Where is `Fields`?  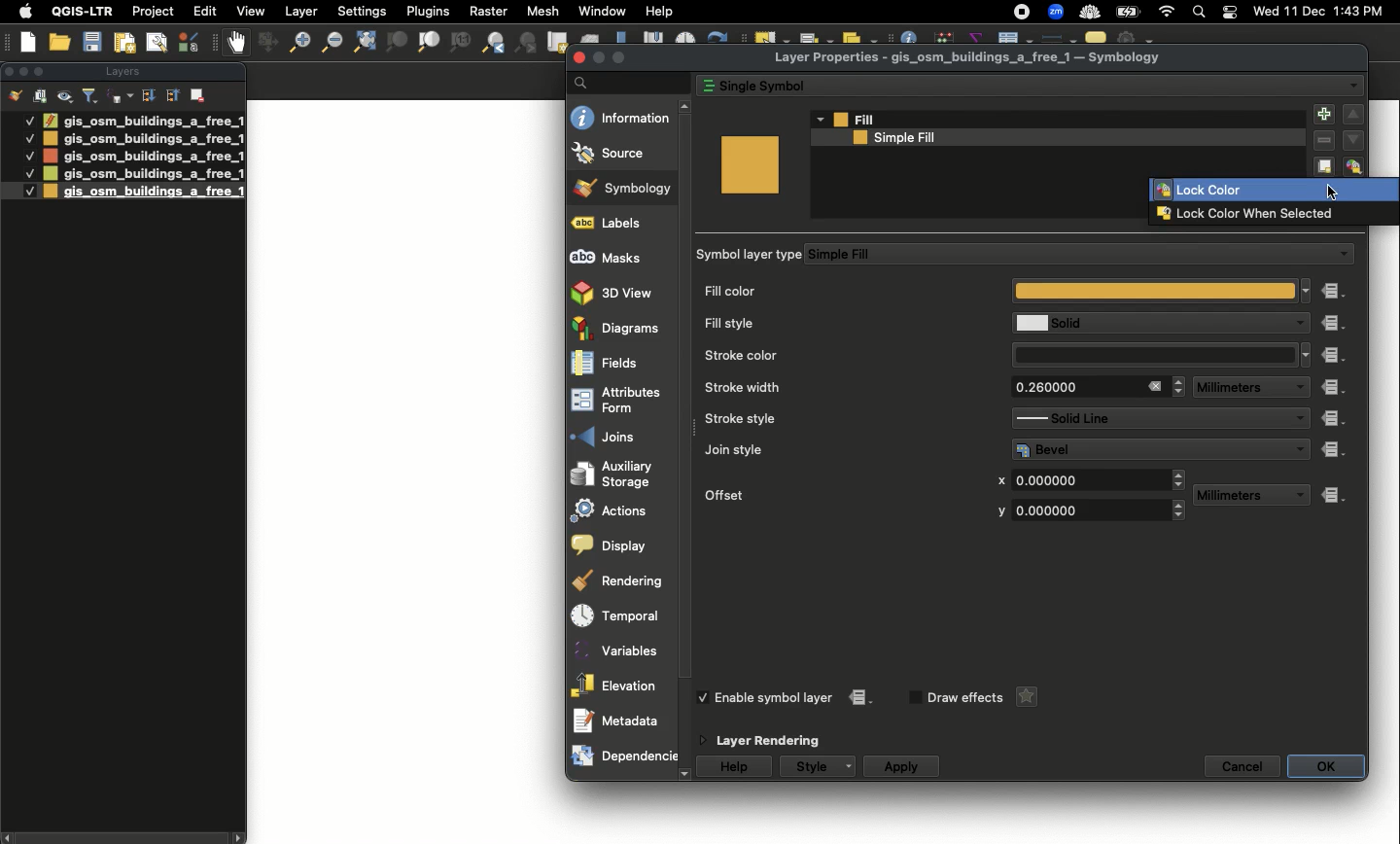 Fields is located at coordinates (619, 363).